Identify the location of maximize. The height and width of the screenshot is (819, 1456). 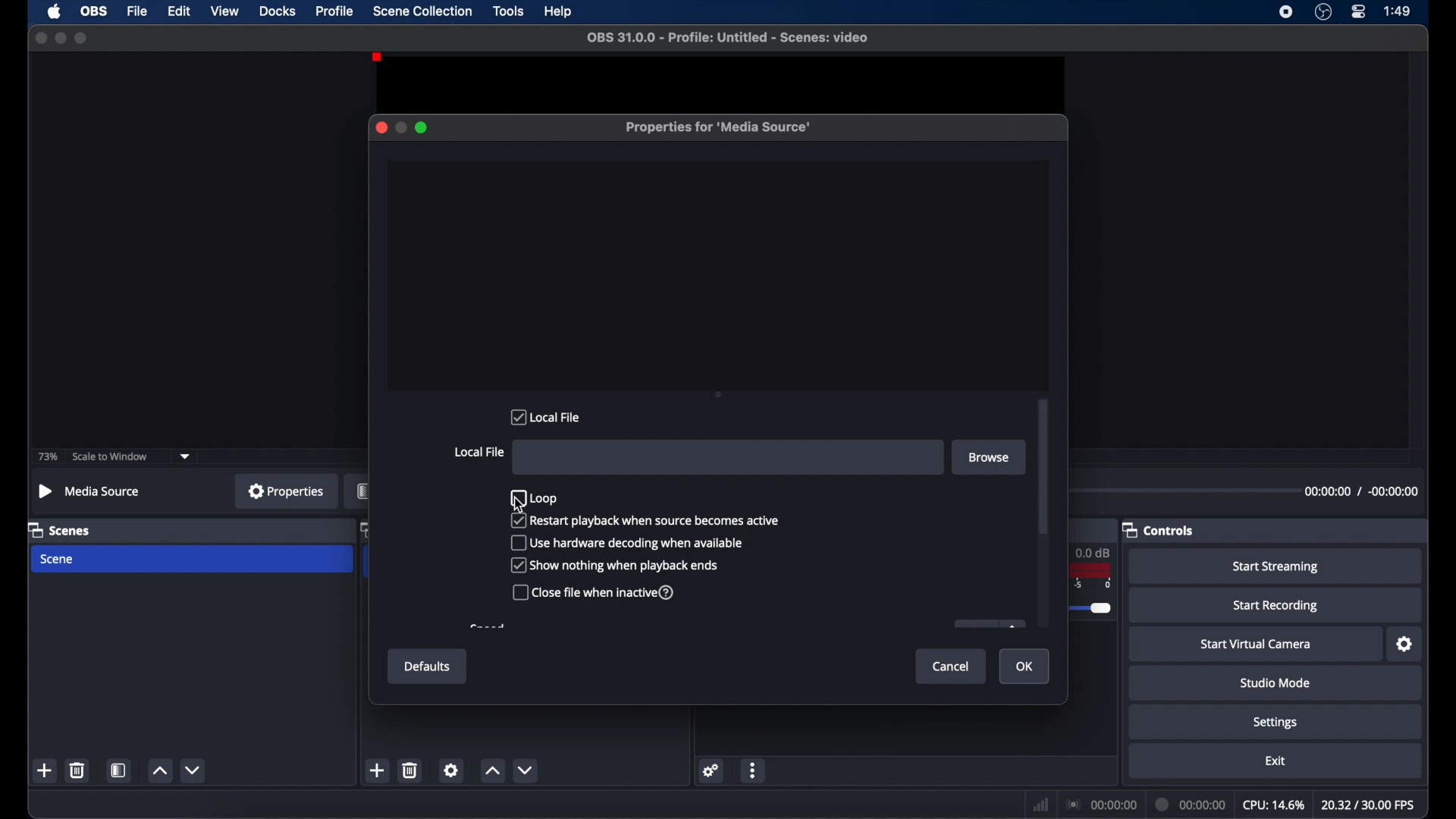
(83, 38).